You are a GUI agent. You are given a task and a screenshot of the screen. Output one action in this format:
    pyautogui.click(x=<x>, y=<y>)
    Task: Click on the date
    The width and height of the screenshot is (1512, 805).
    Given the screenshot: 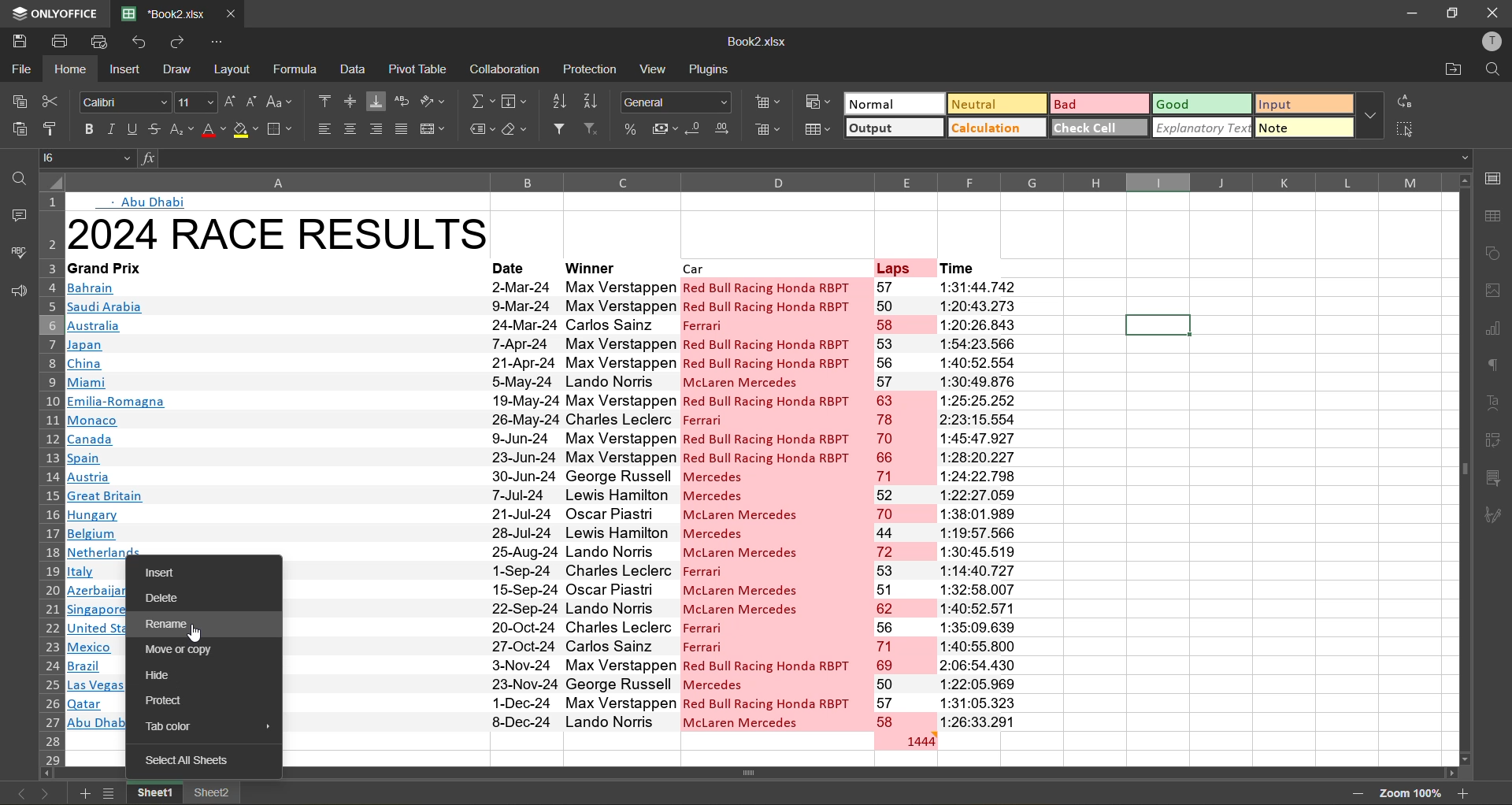 What is the action you would take?
    pyautogui.click(x=522, y=503)
    